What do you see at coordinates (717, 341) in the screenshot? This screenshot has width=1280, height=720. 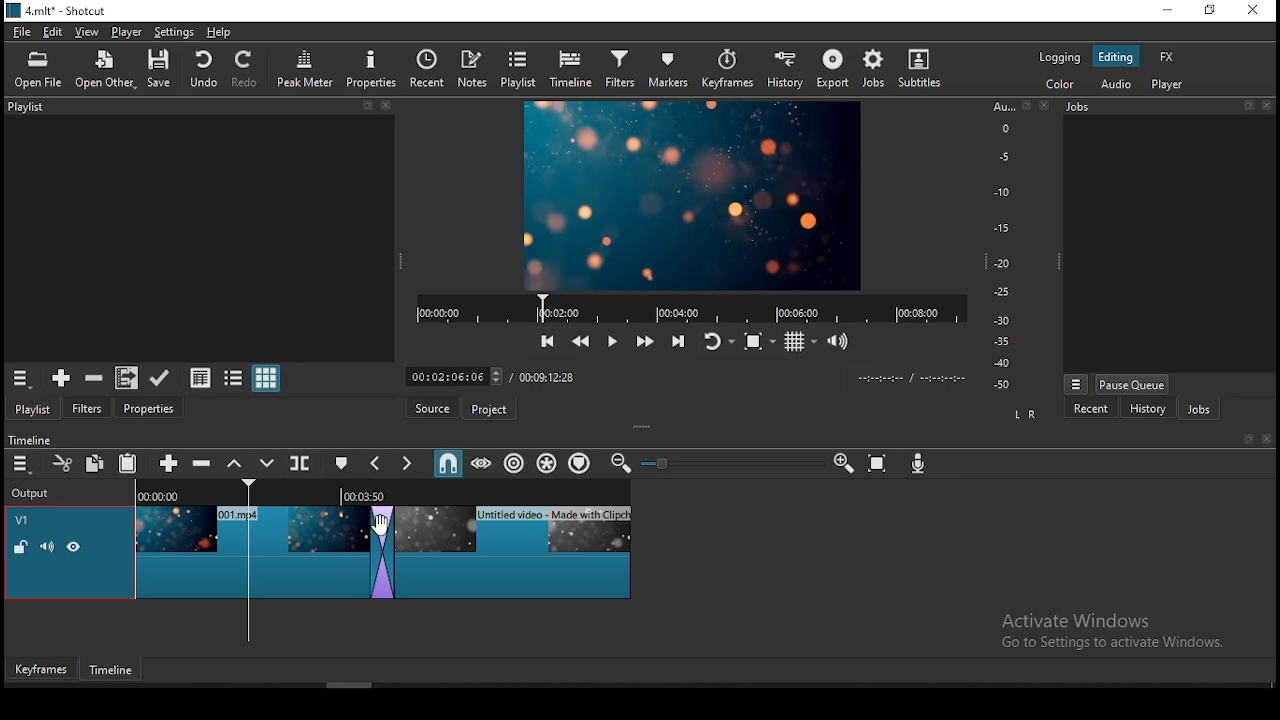 I see `toggle player looping` at bounding box center [717, 341].